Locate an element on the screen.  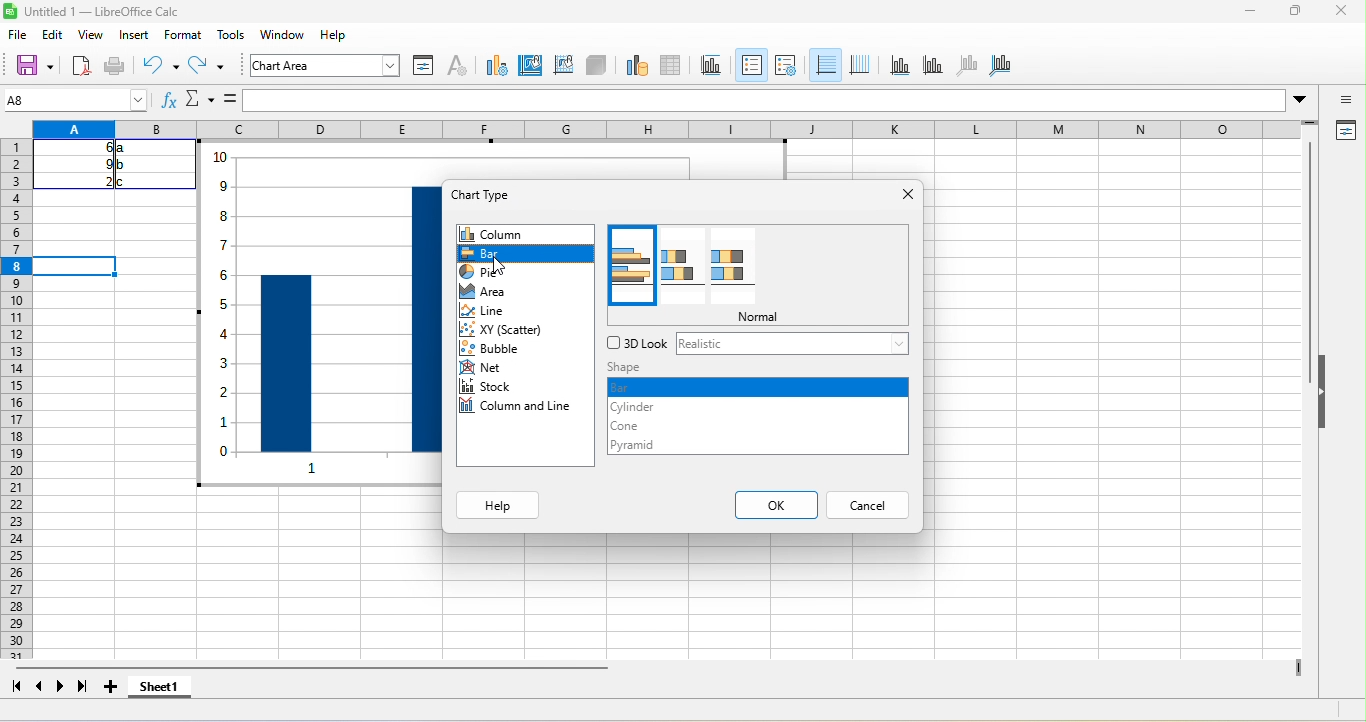
cone is located at coordinates (642, 426).